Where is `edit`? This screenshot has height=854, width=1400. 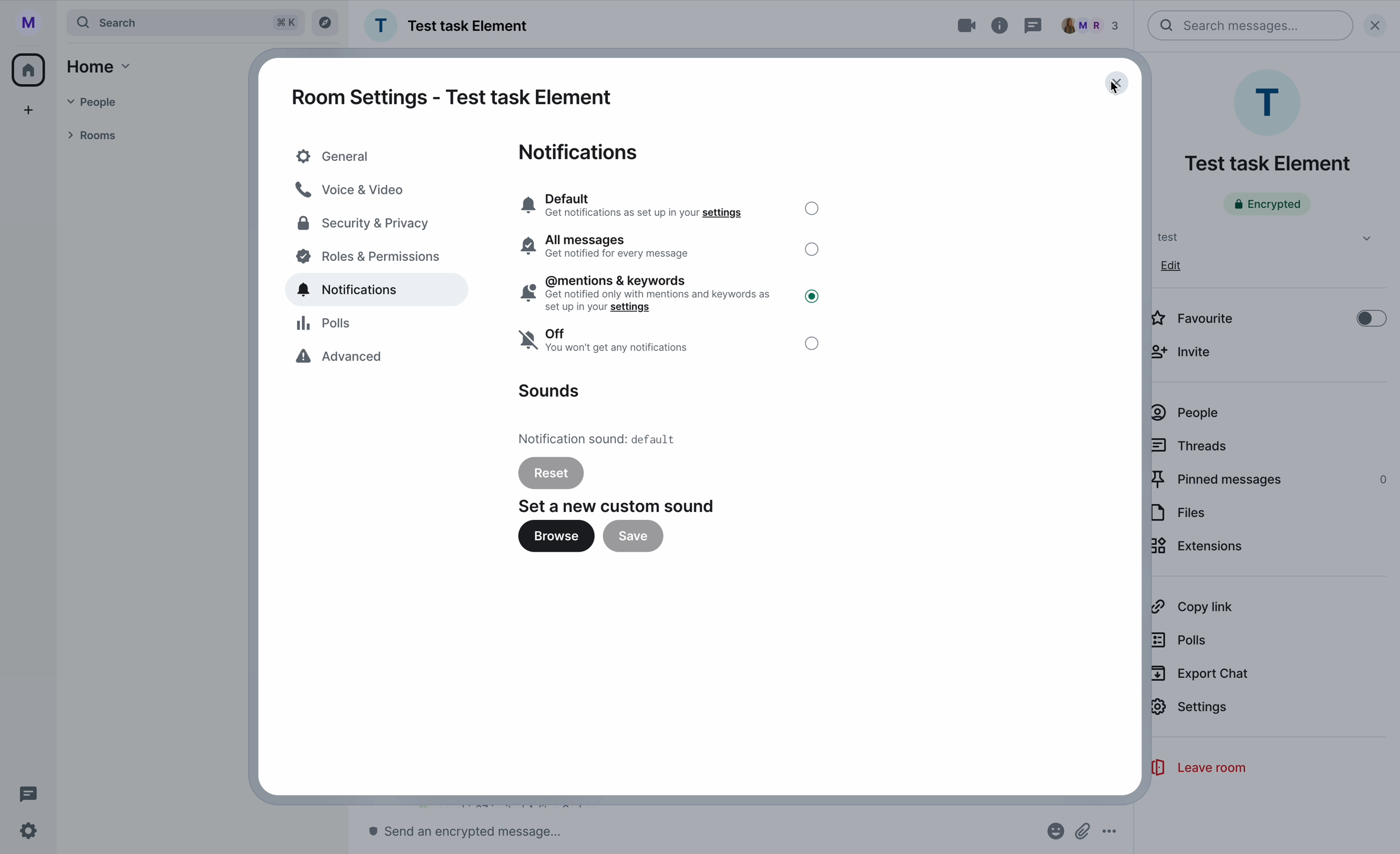 edit is located at coordinates (1172, 265).